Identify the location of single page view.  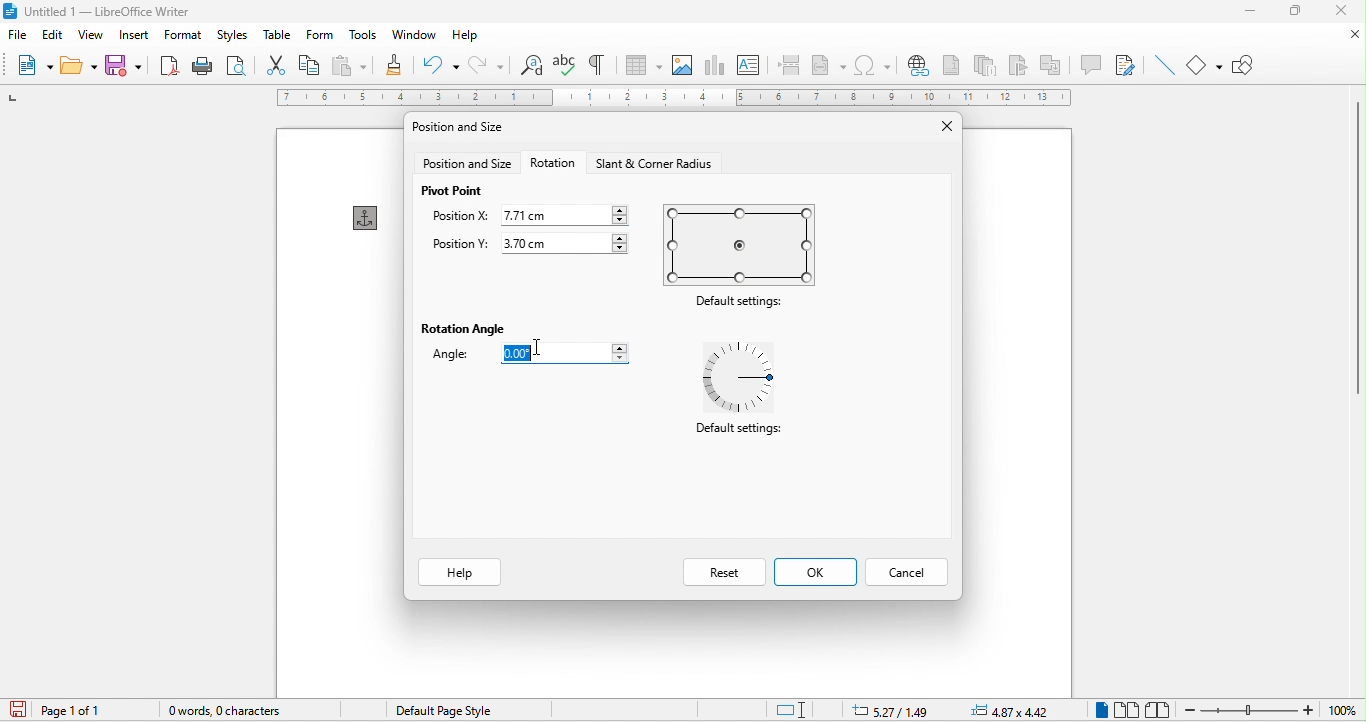
(1096, 710).